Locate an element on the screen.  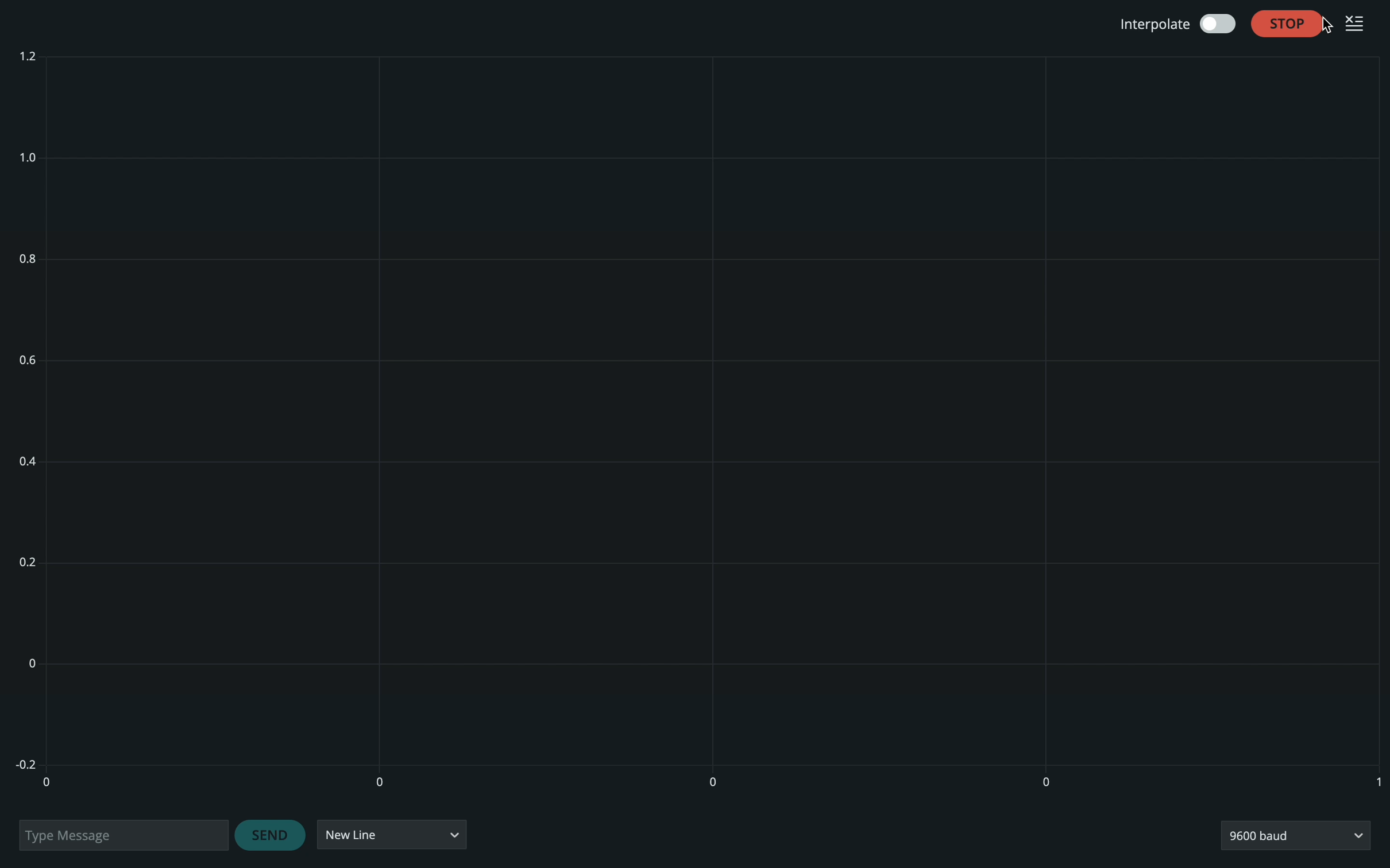
cursor is located at coordinates (1326, 25).